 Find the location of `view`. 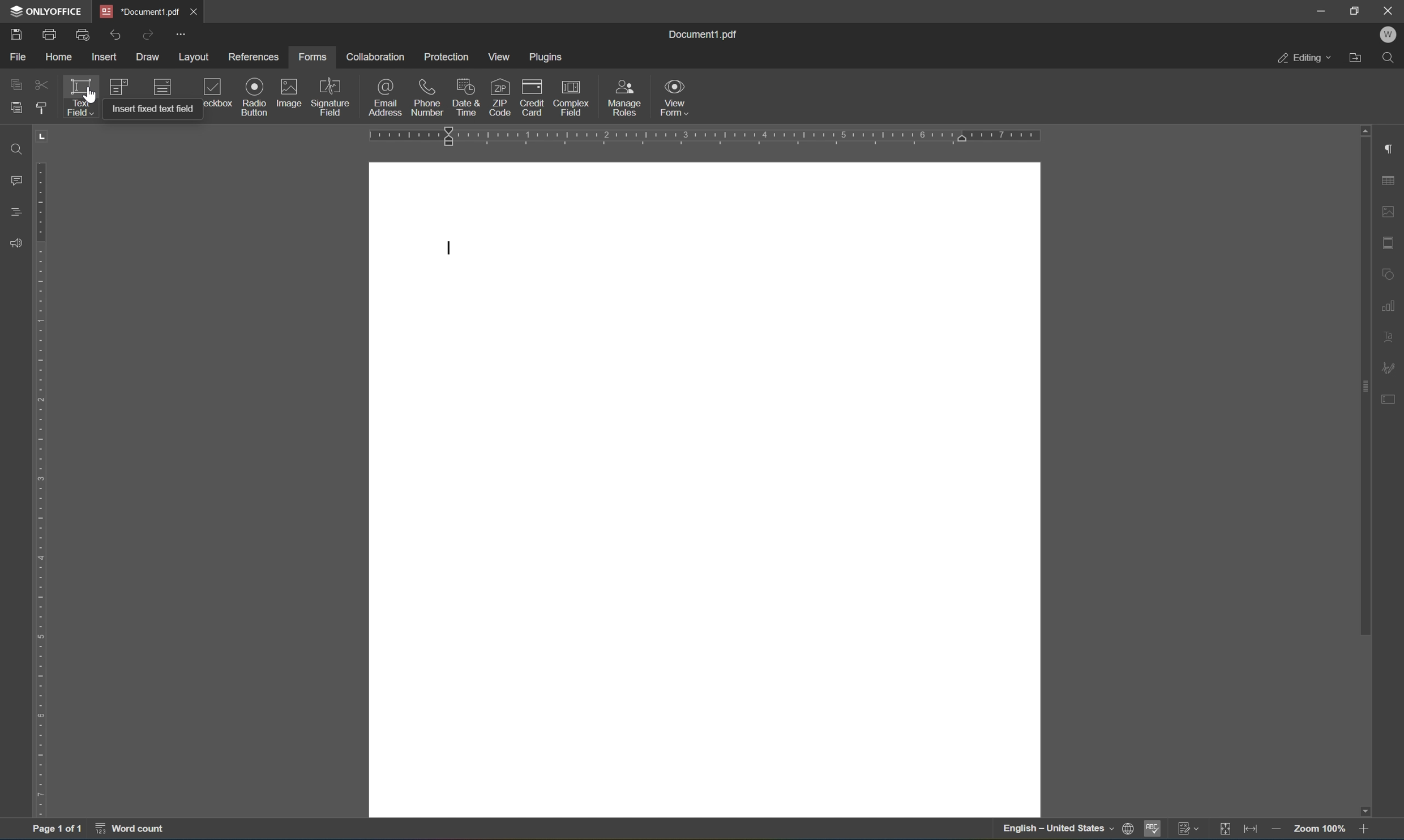

view is located at coordinates (499, 55).